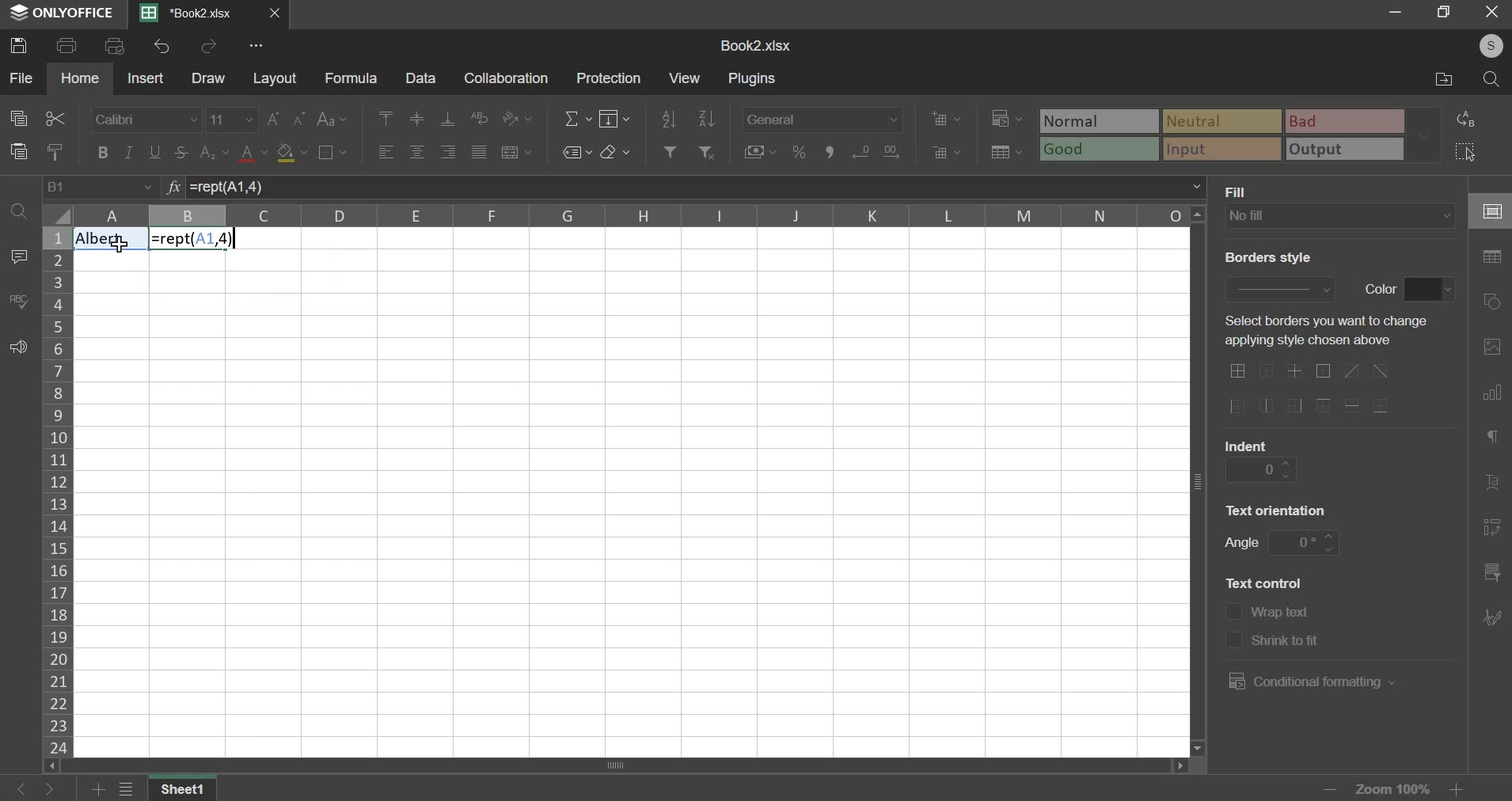  I want to click on cell name, so click(101, 187).